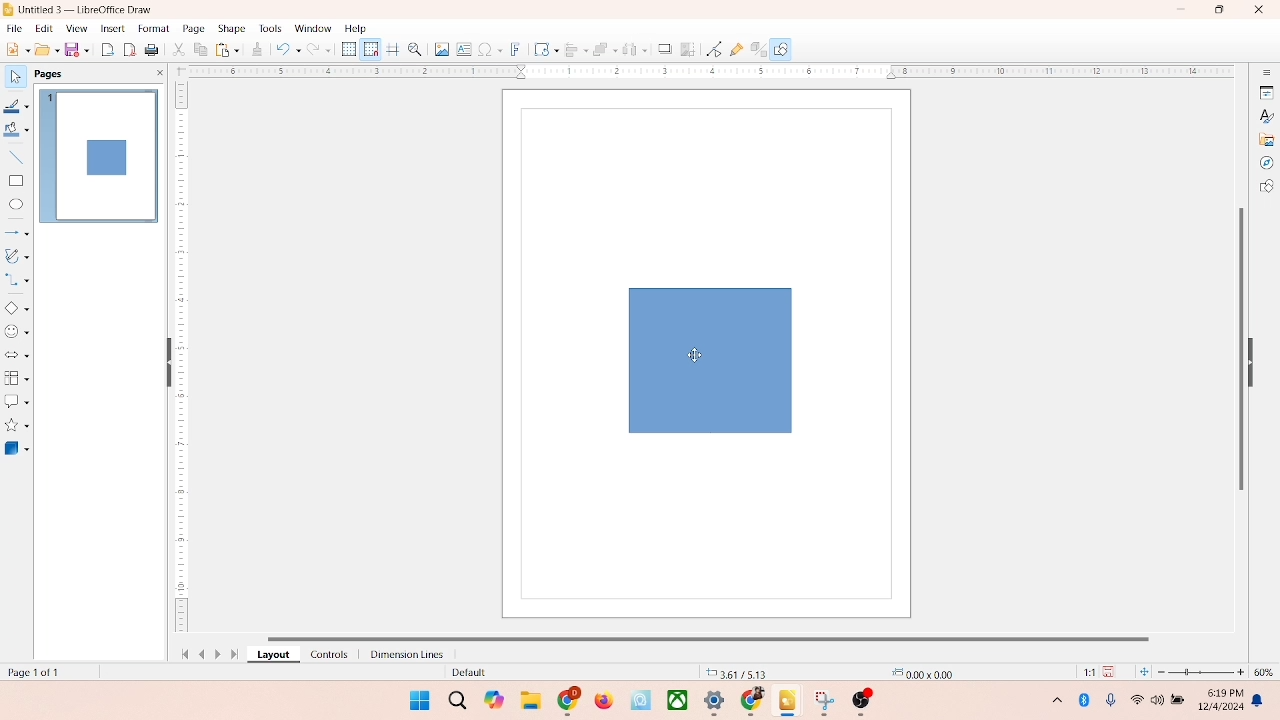 The image size is (1280, 720). Describe the element at coordinates (42, 29) in the screenshot. I see `edit` at that location.